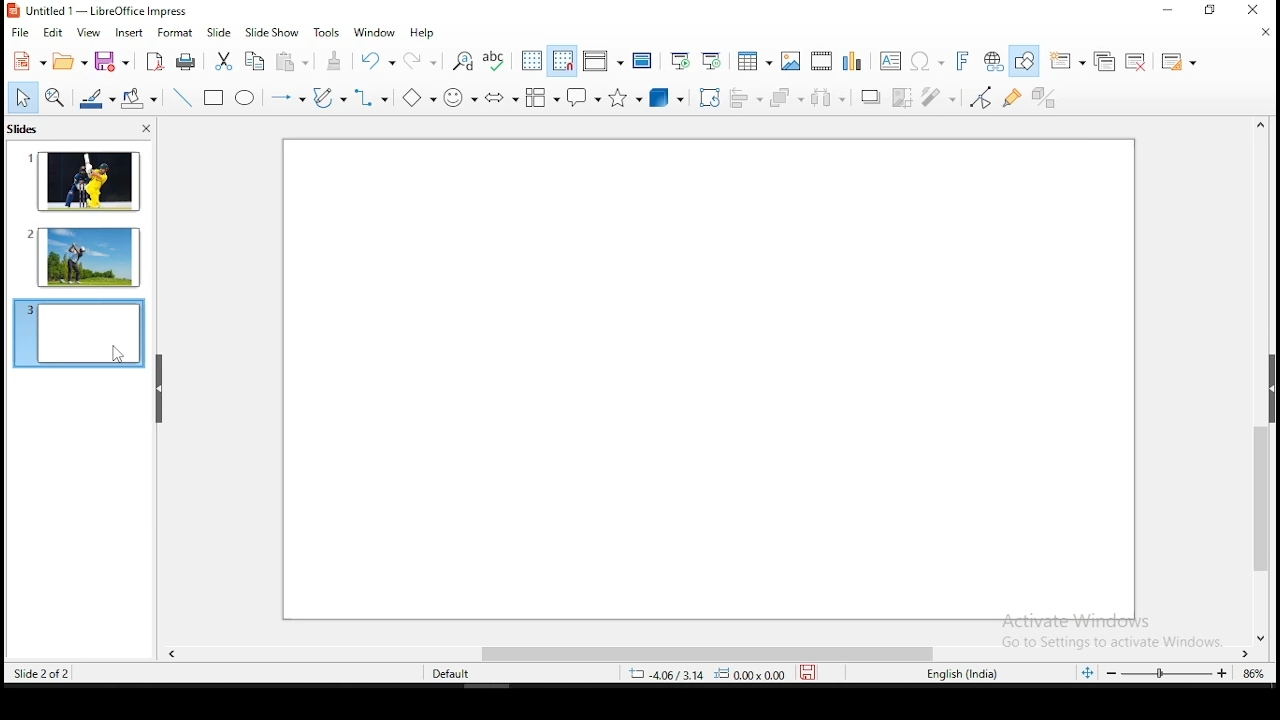 This screenshot has height=720, width=1280. What do you see at coordinates (497, 62) in the screenshot?
I see `spell check` at bounding box center [497, 62].